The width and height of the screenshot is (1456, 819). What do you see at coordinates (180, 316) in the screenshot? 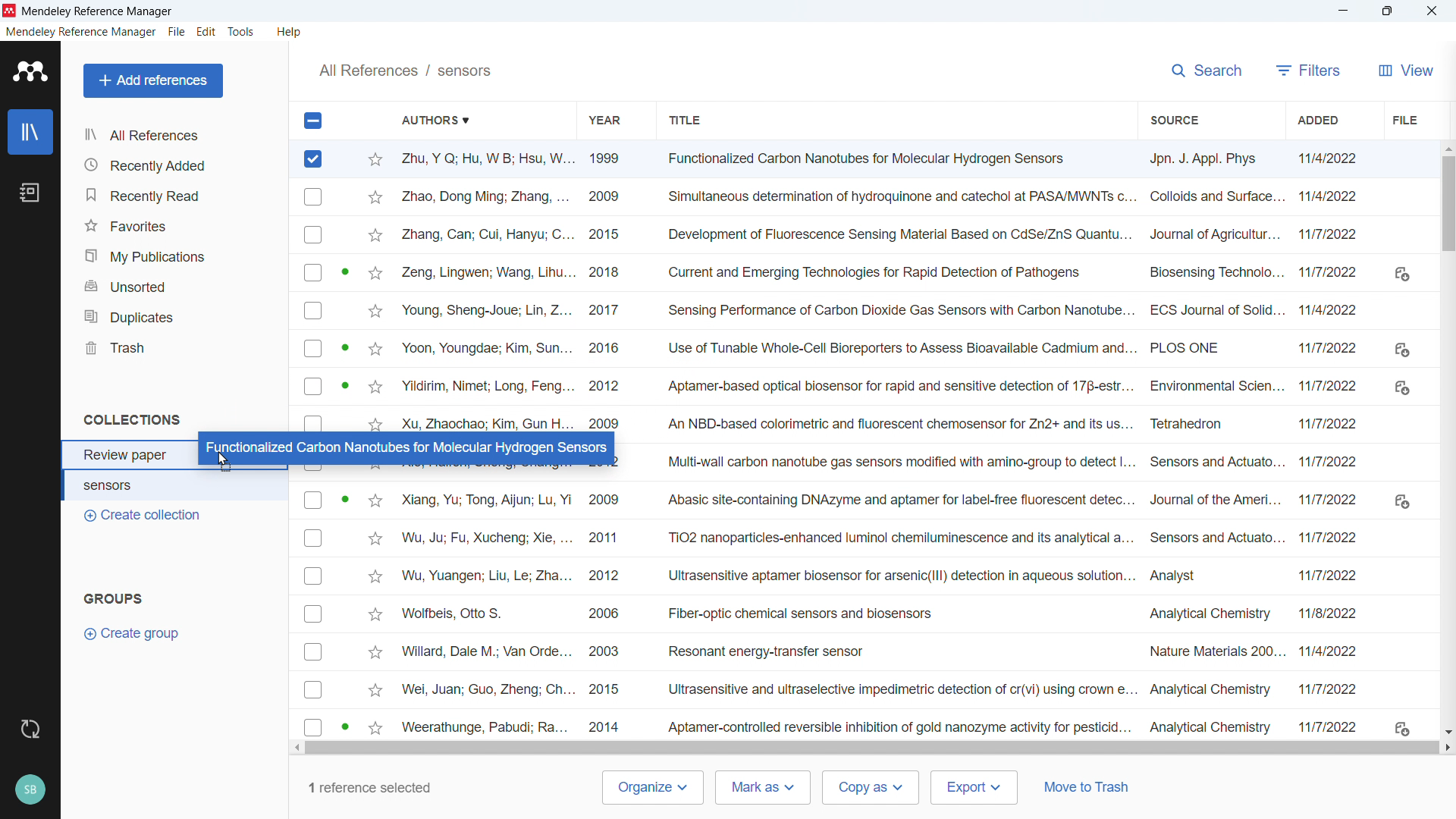
I see `Duplicates ` at bounding box center [180, 316].